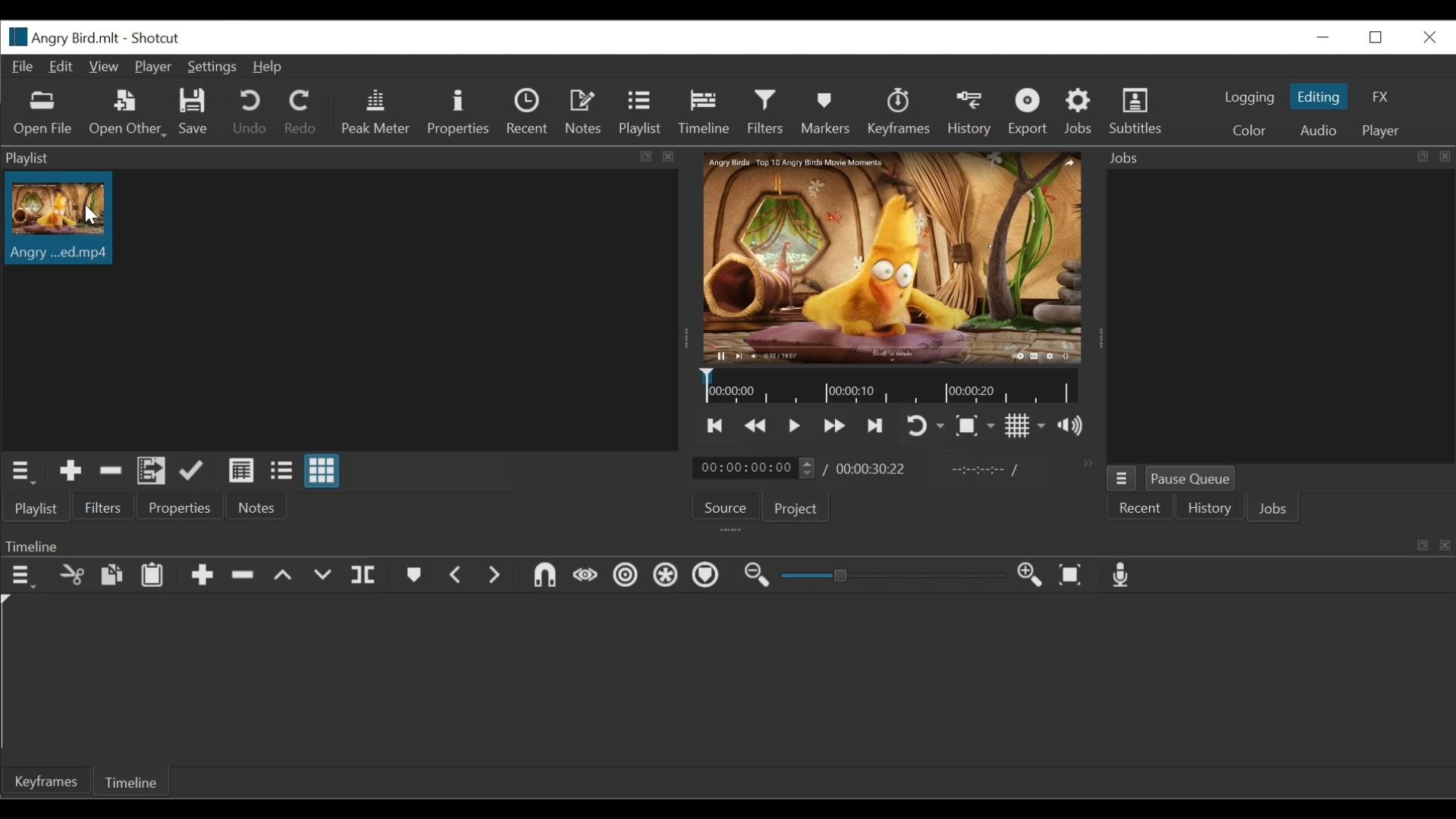 The height and width of the screenshot is (819, 1456). I want to click on Player, so click(152, 67).